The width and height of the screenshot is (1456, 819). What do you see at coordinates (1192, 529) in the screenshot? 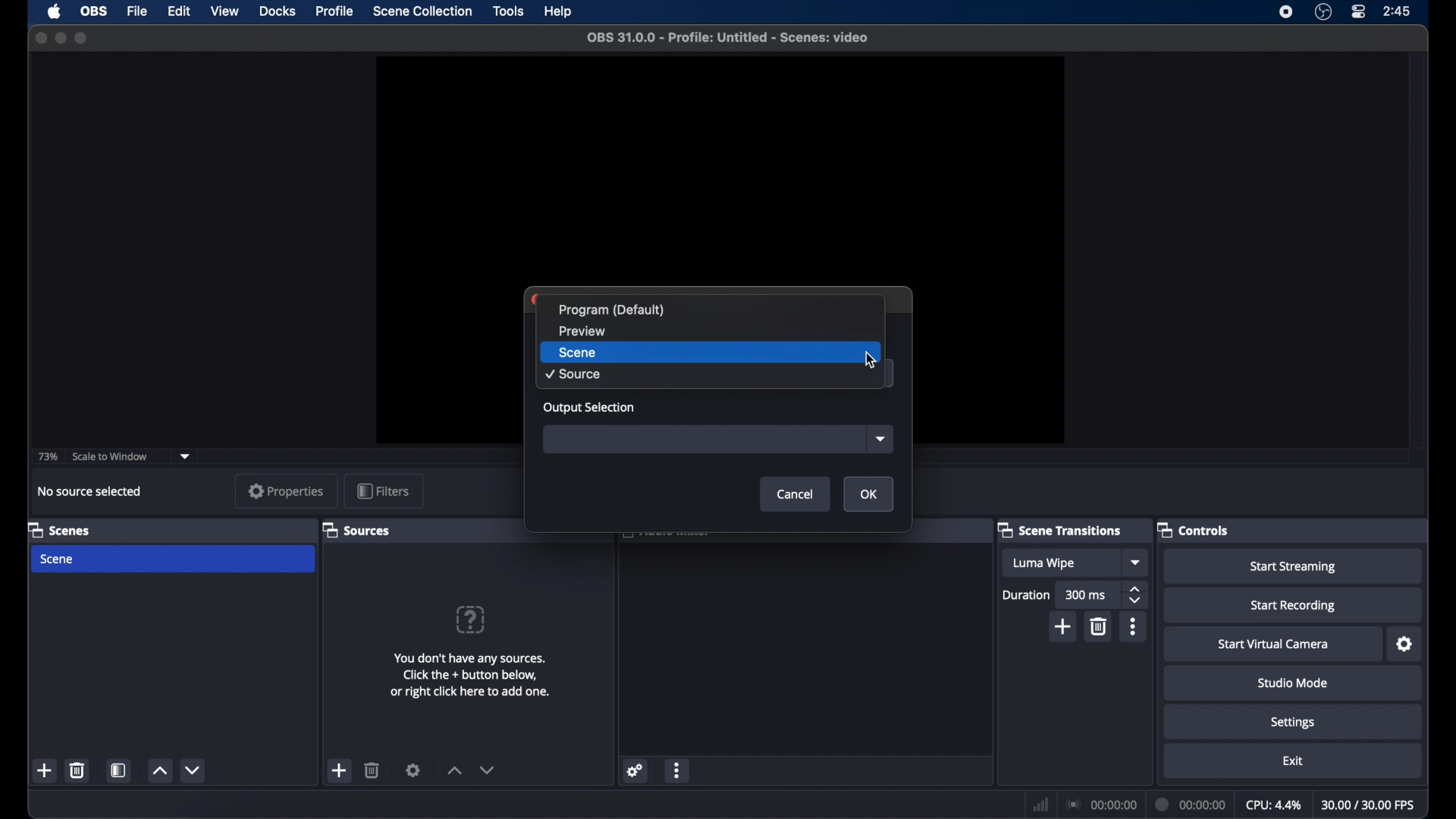
I see `controls` at bounding box center [1192, 529].